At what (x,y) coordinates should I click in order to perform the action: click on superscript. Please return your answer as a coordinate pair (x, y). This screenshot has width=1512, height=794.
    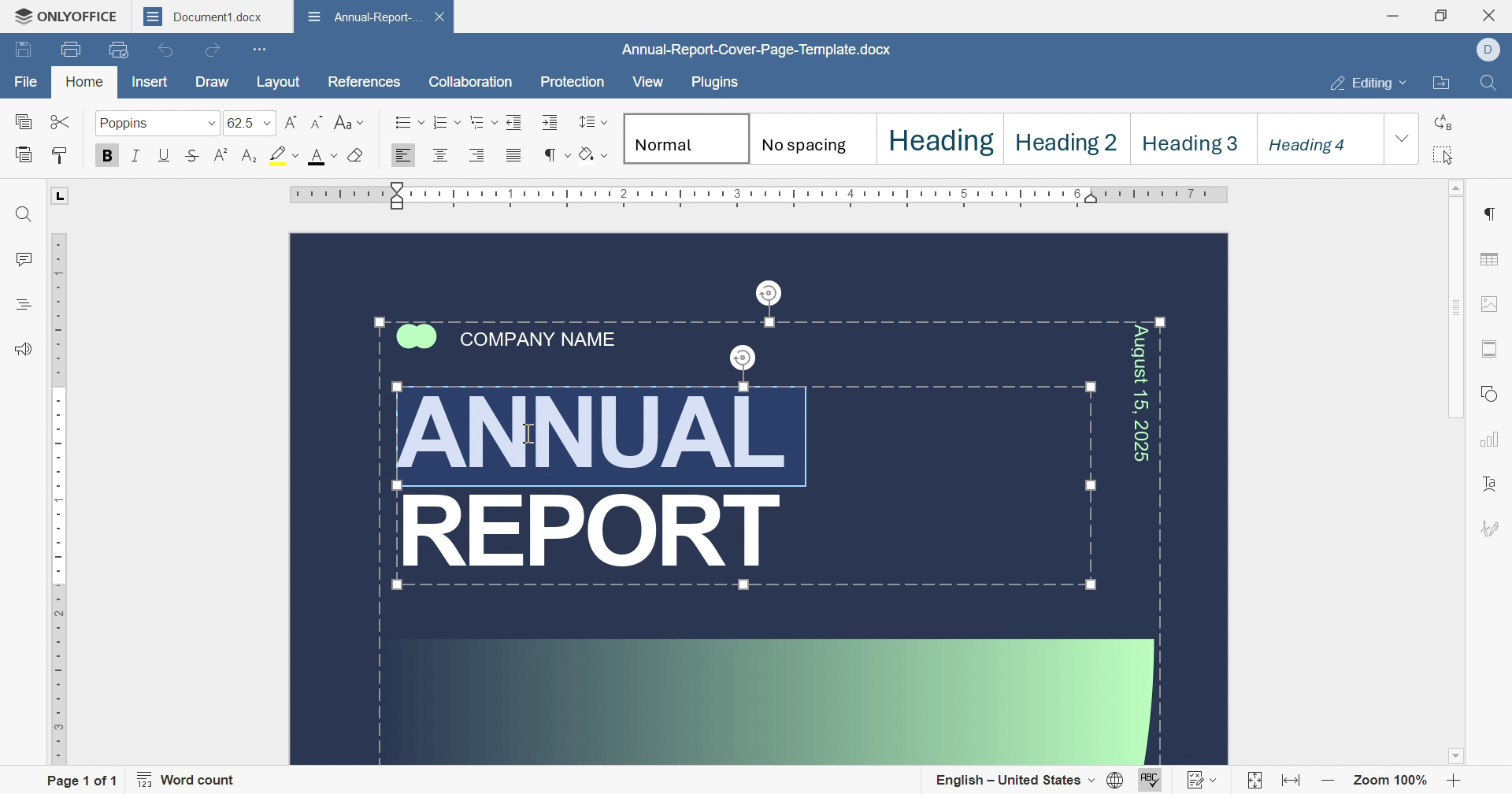
    Looking at the image, I should click on (224, 157).